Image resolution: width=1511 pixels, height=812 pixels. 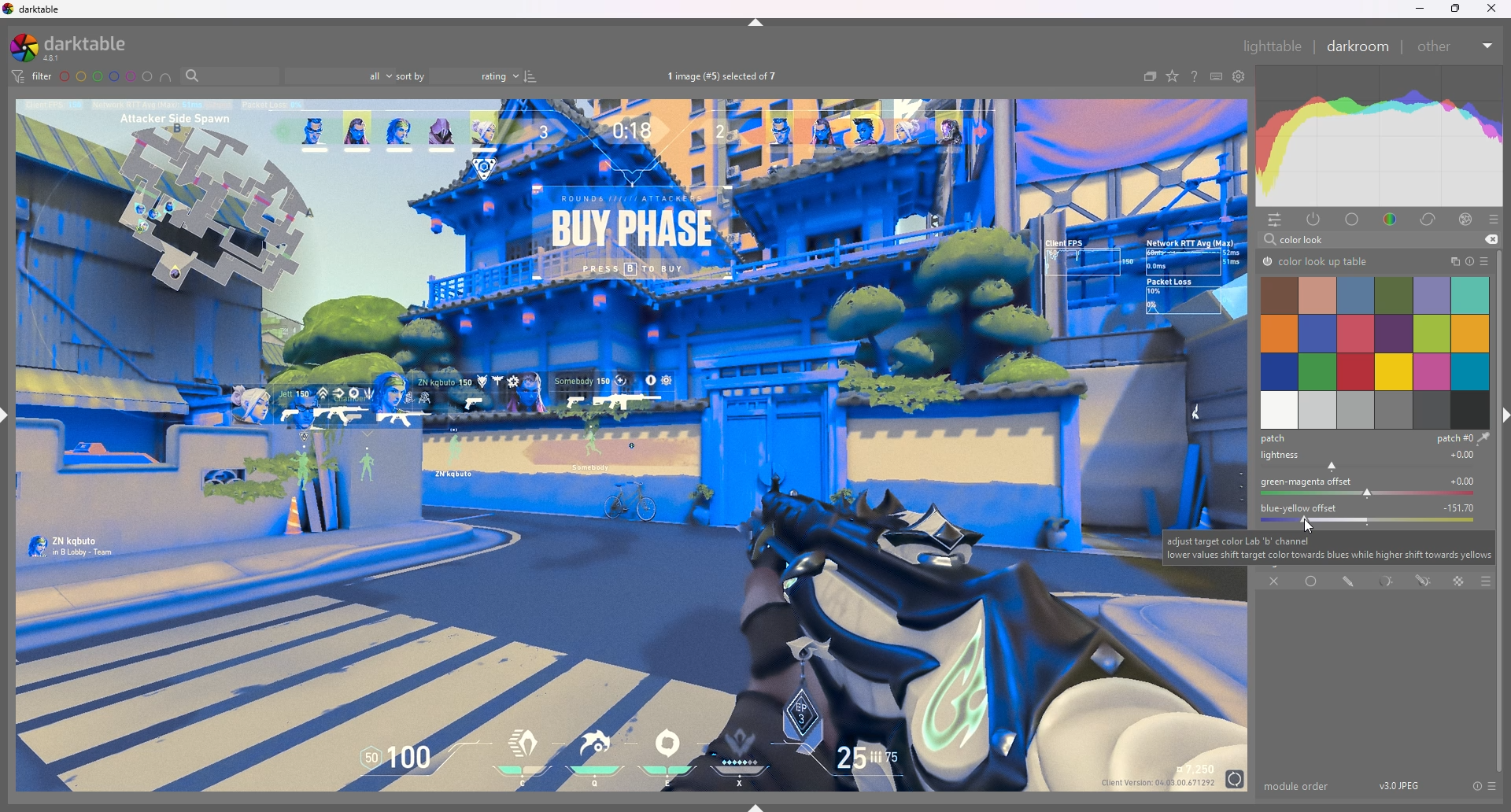 I want to click on lightness, so click(x=1372, y=460).